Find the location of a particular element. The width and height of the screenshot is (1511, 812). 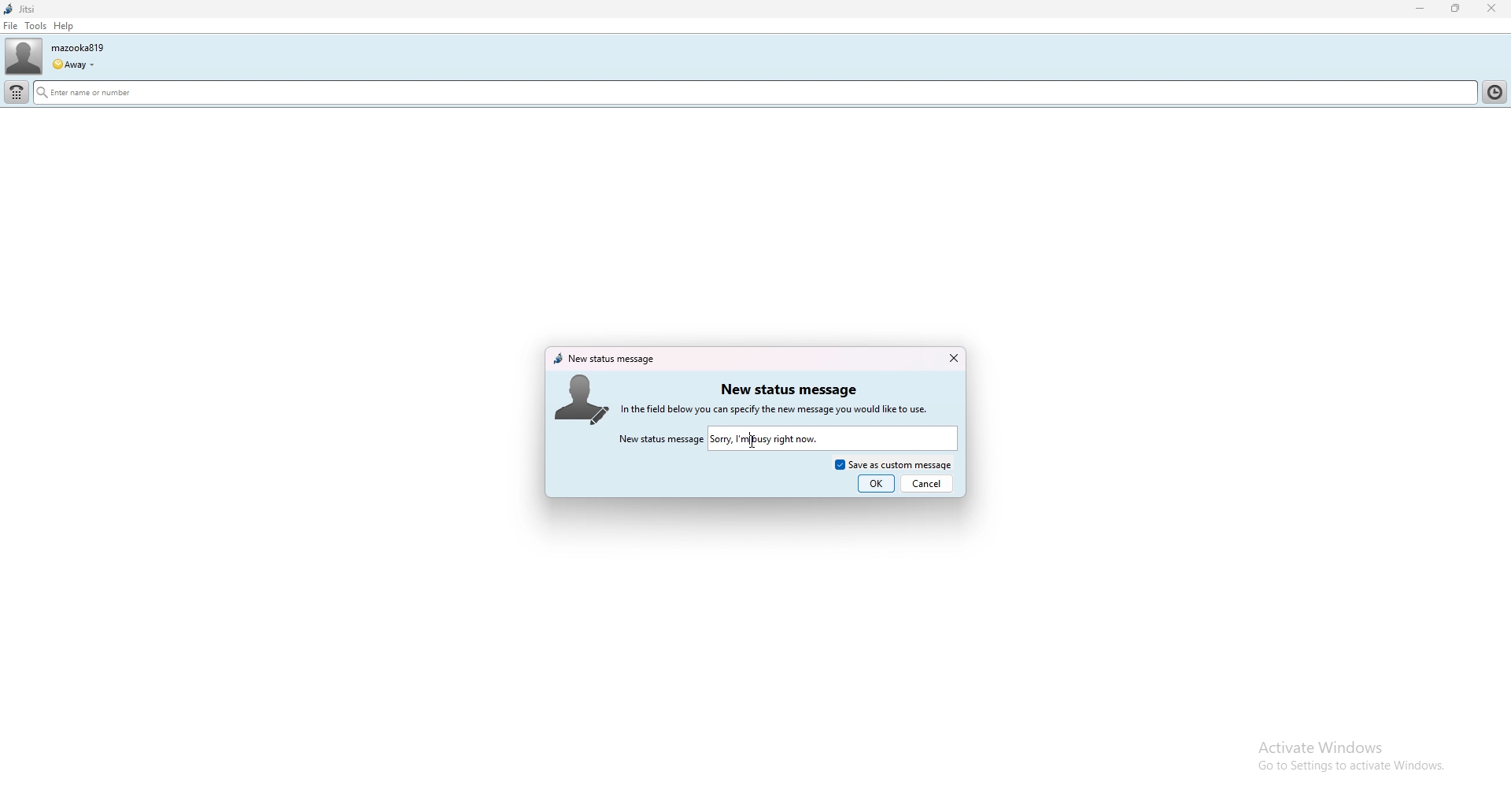

contact list is located at coordinates (1498, 90).